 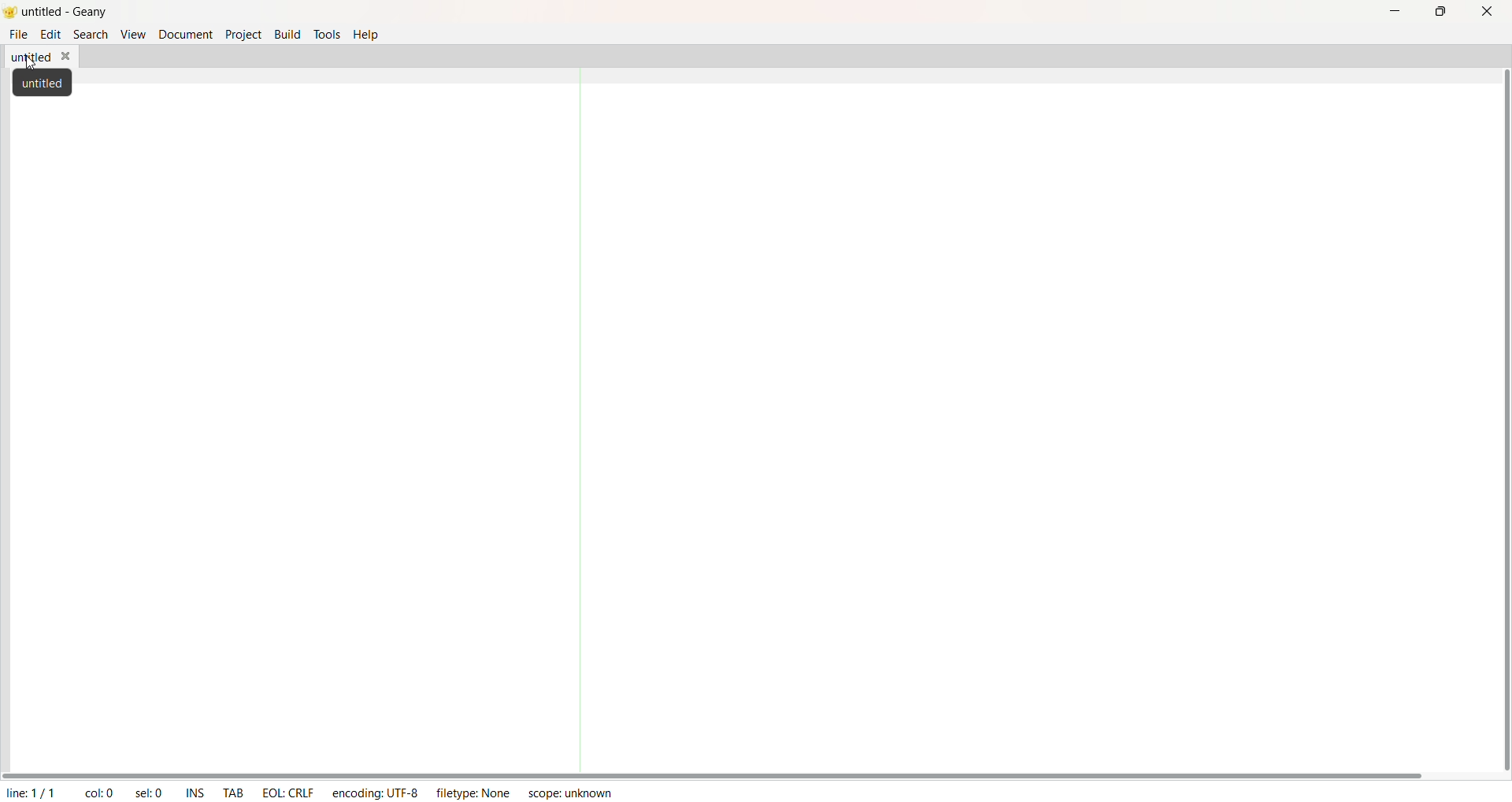 I want to click on Close, so click(x=1488, y=14).